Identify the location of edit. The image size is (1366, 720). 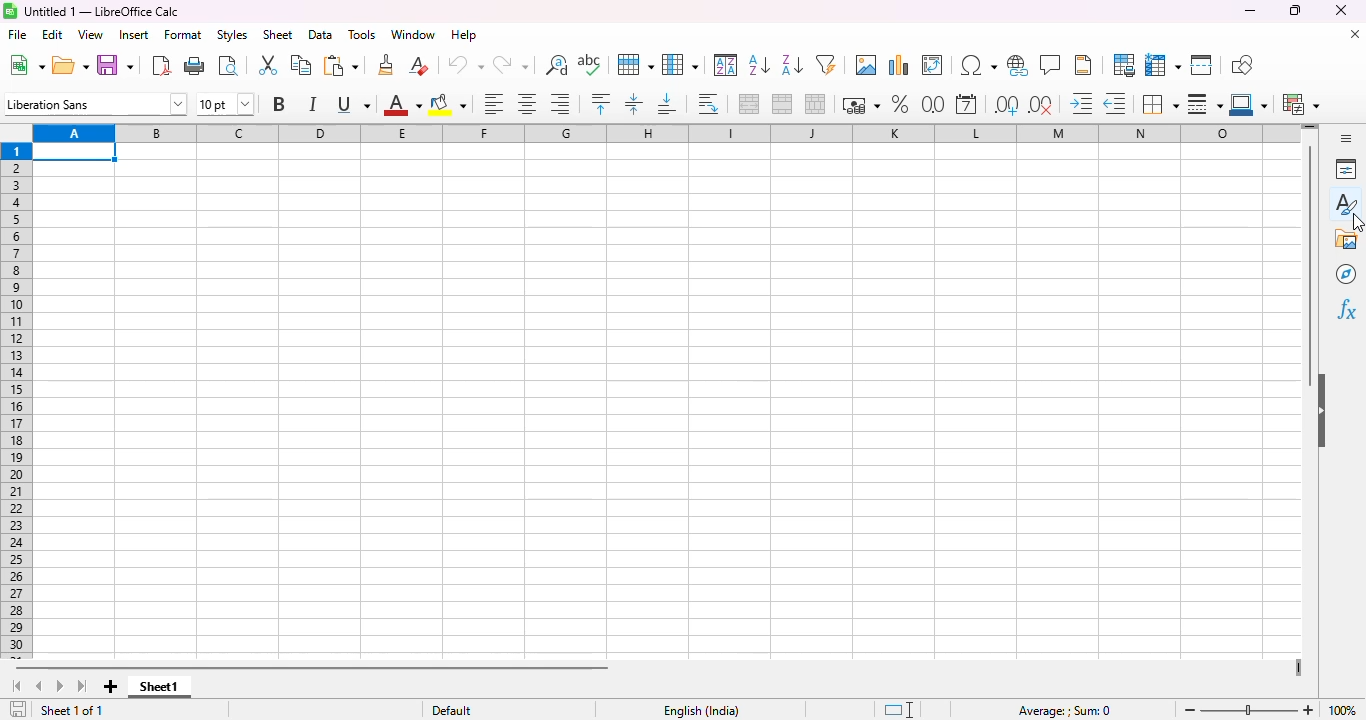
(52, 35).